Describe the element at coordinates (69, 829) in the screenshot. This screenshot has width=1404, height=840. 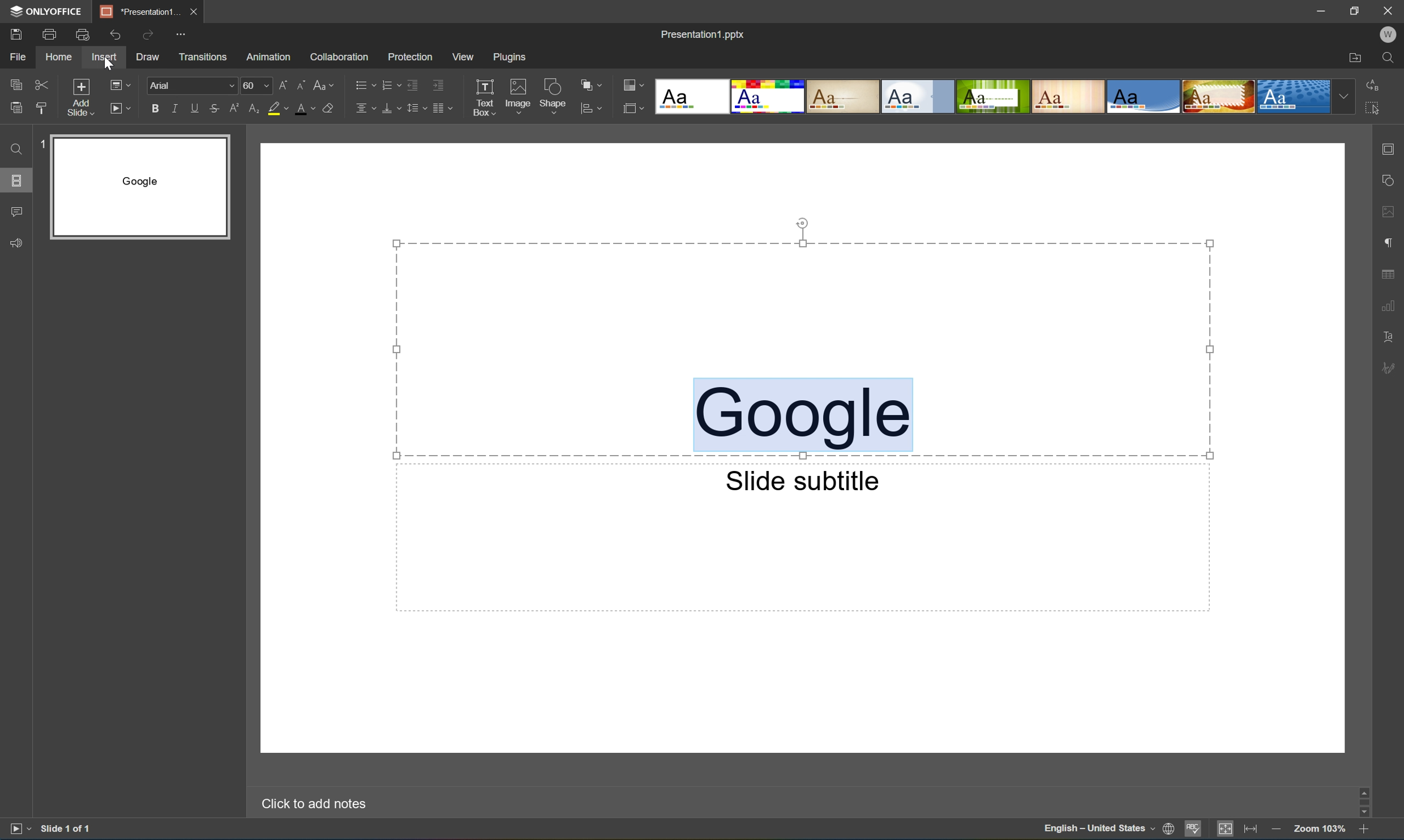
I see `Slide 1 of 1` at that location.